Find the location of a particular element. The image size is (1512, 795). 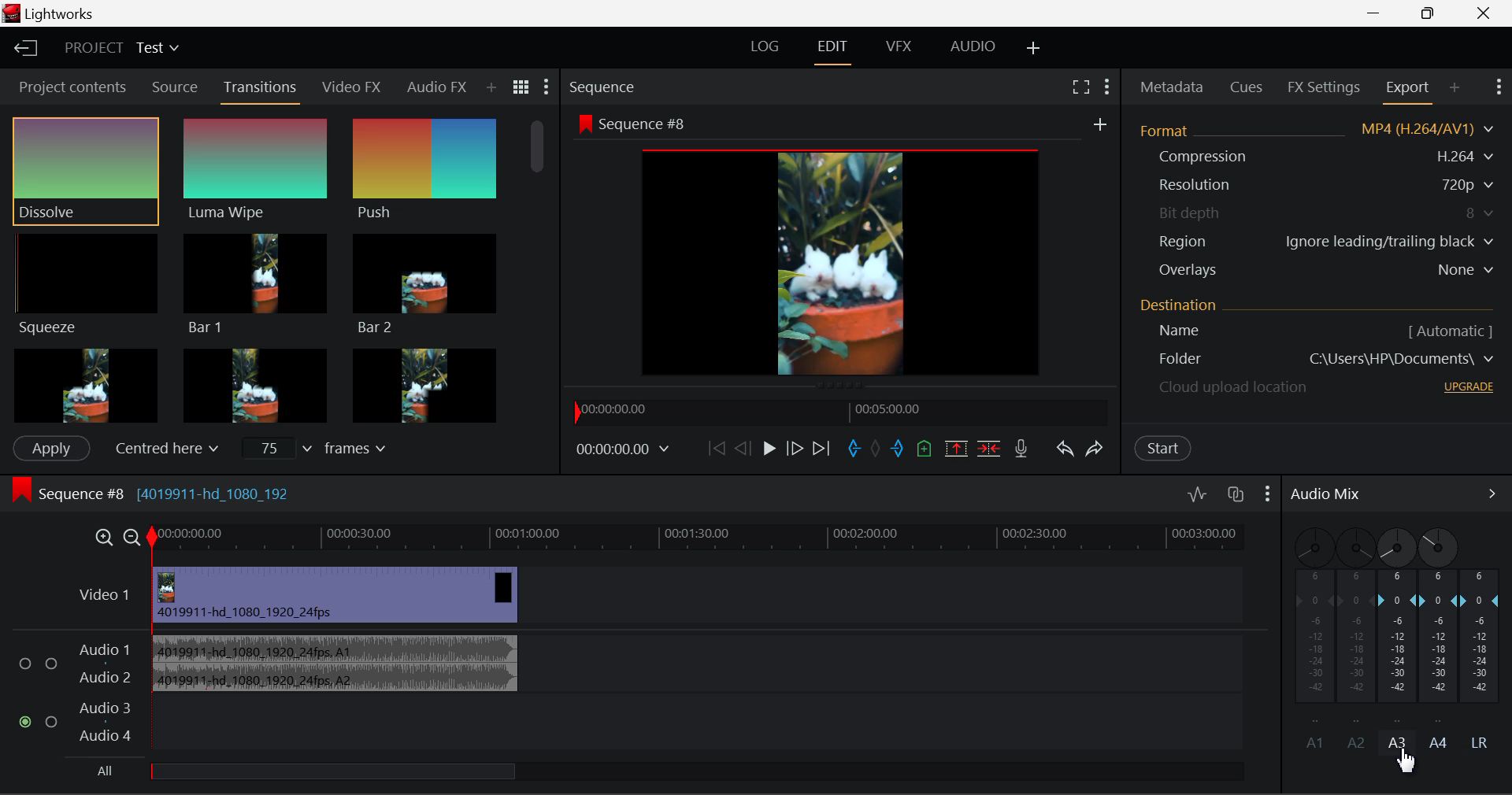

Audio Input Field is located at coordinates (638, 693).